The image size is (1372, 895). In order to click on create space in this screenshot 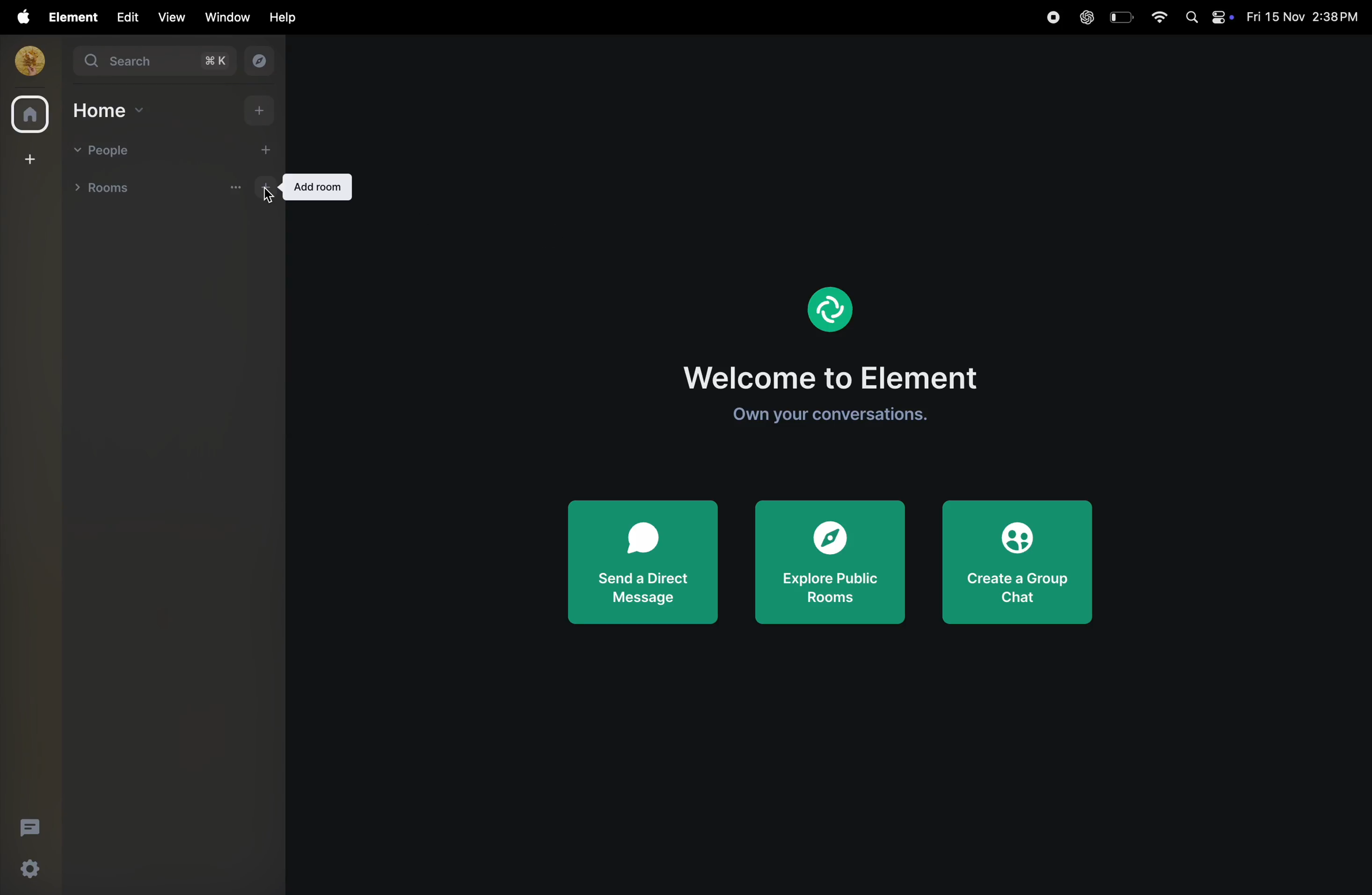, I will do `click(28, 158)`.